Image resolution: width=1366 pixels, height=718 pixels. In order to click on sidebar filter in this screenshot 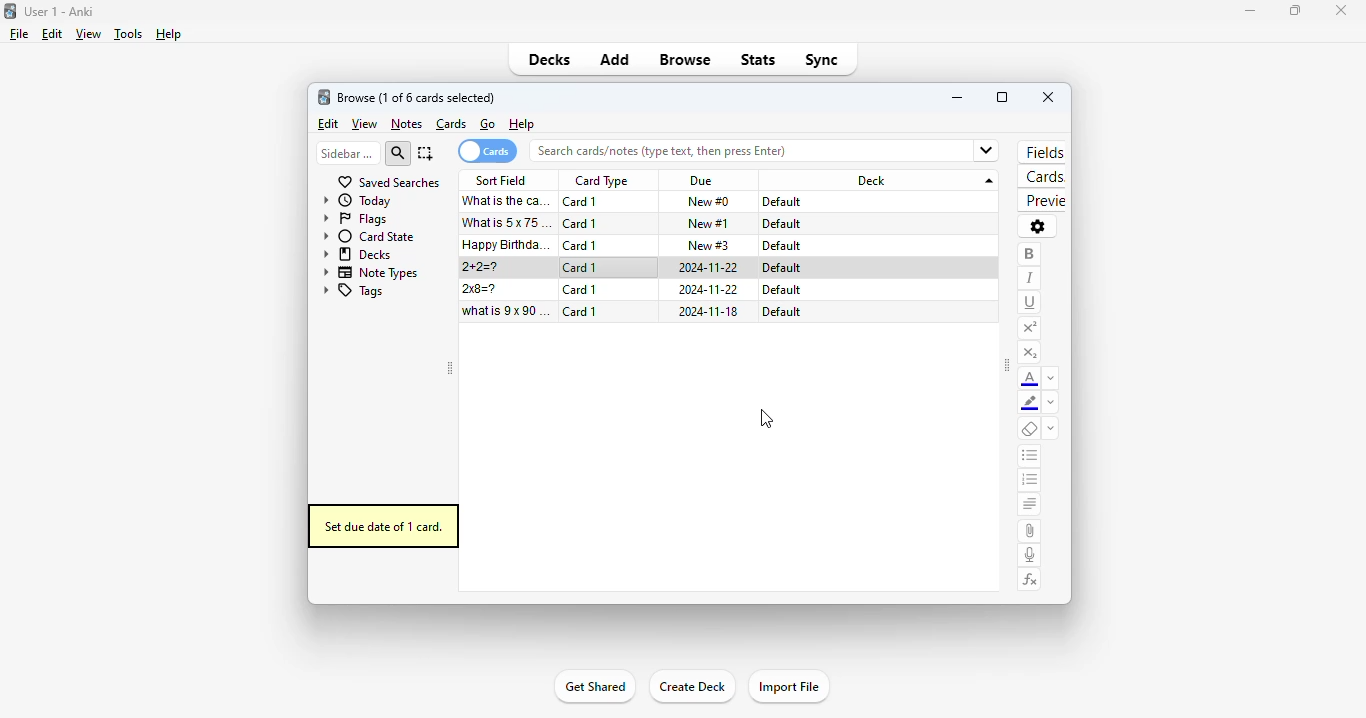, I will do `click(347, 153)`.